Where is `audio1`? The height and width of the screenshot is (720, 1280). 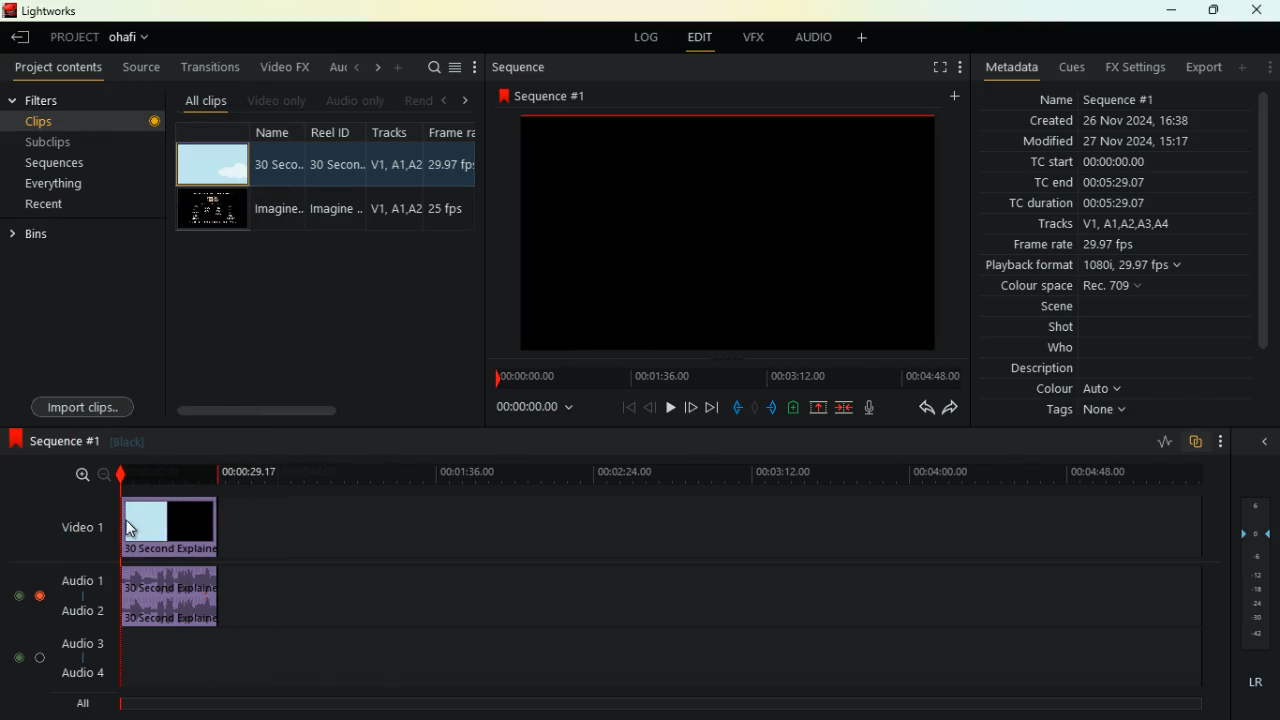 audio1 is located at coordinates (78, 577).